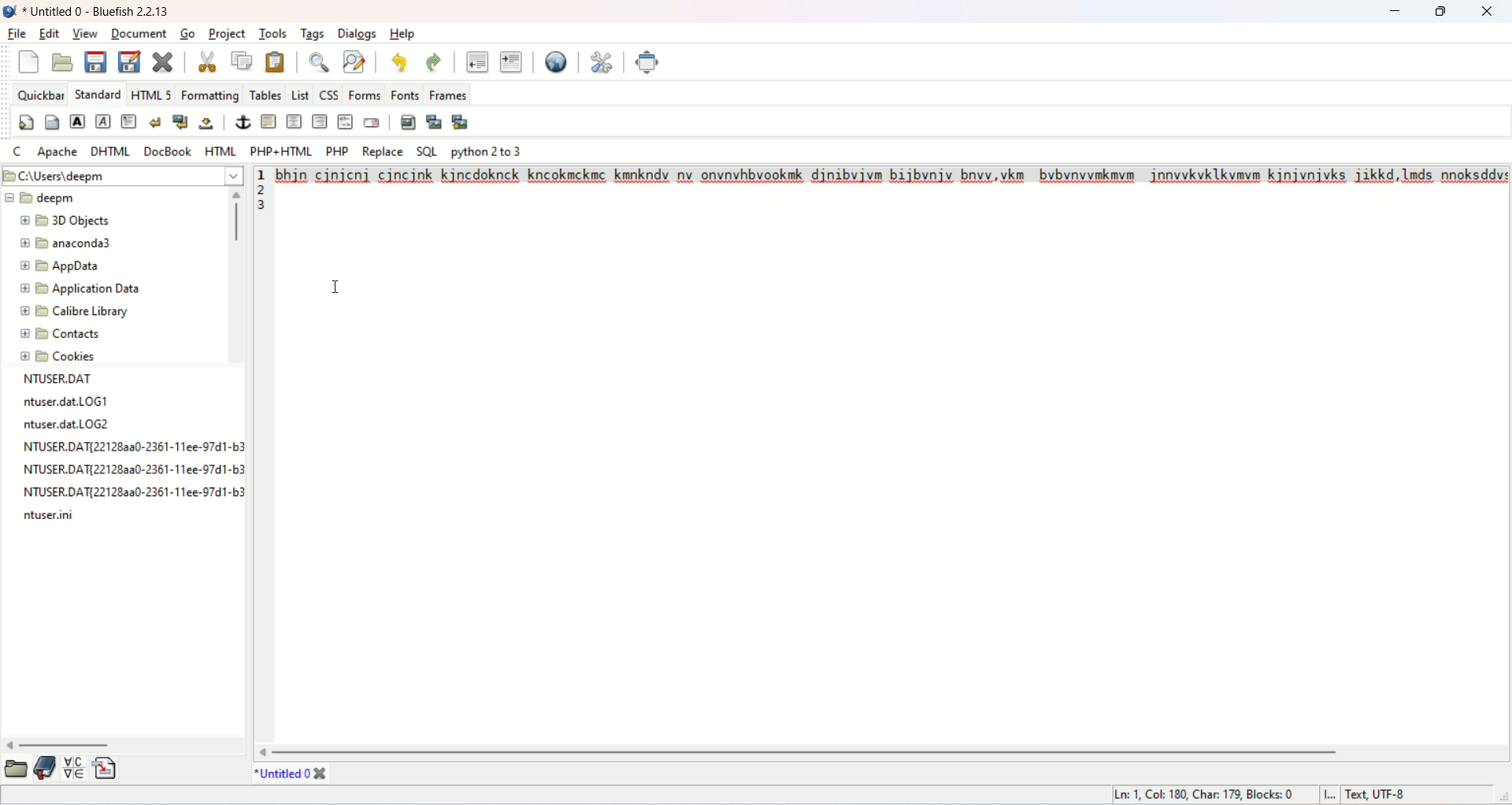 The height and width of the screenshot is (805, 1512). I want to click on edit preferences, so click(602, 59).